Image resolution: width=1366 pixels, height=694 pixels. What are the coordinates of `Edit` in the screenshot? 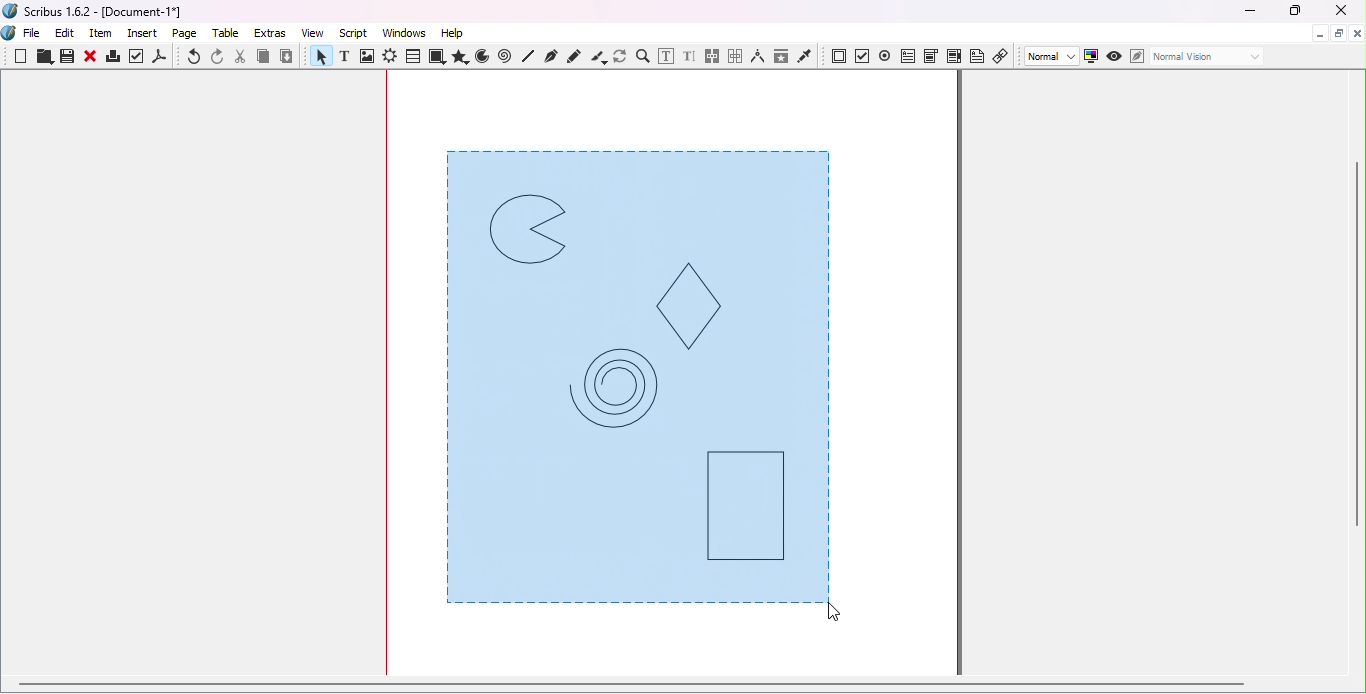 It's located at (65, 33).